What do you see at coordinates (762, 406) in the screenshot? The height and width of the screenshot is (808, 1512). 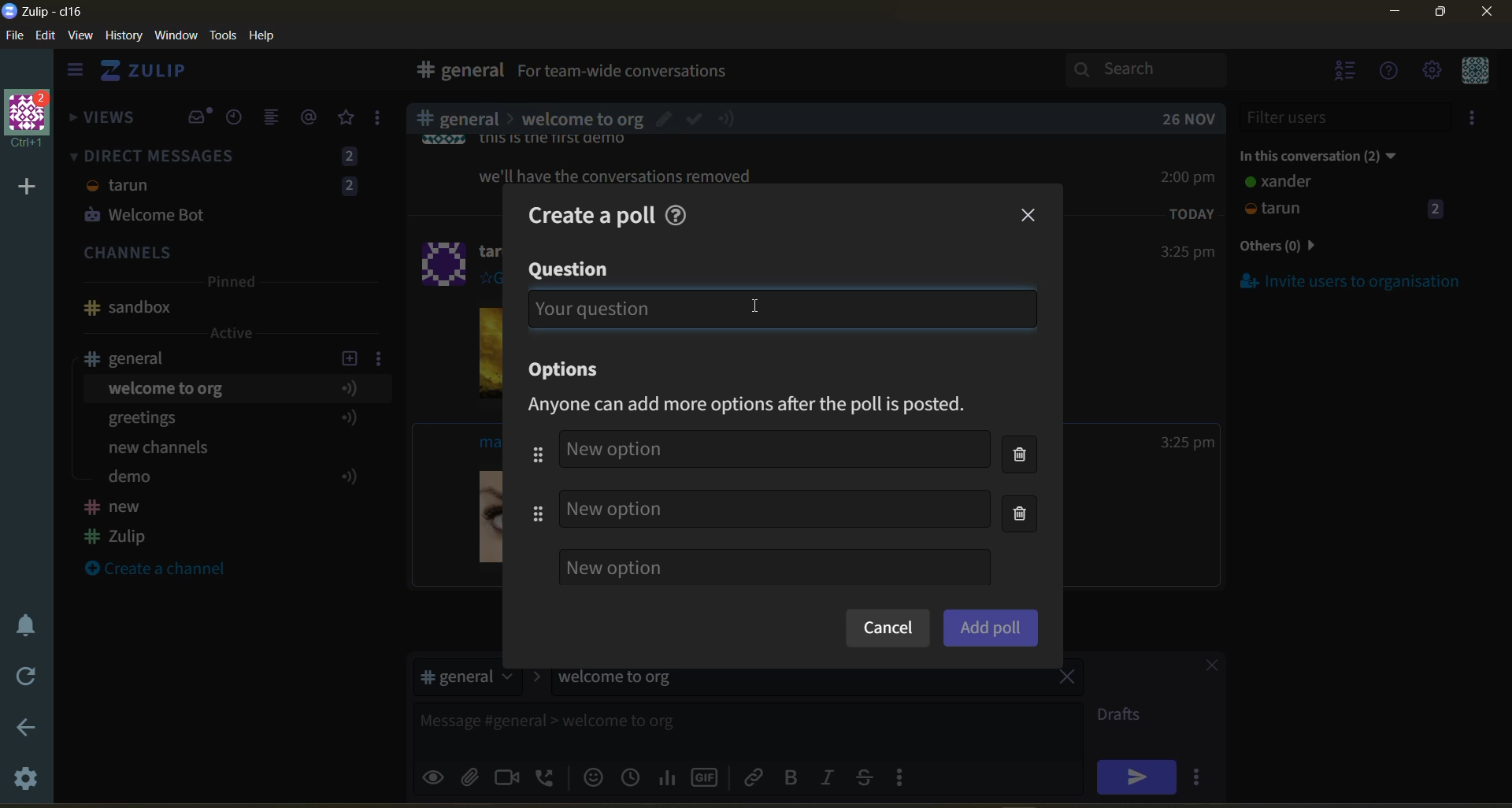 I see `metadata` at bounding box center [762, 406].